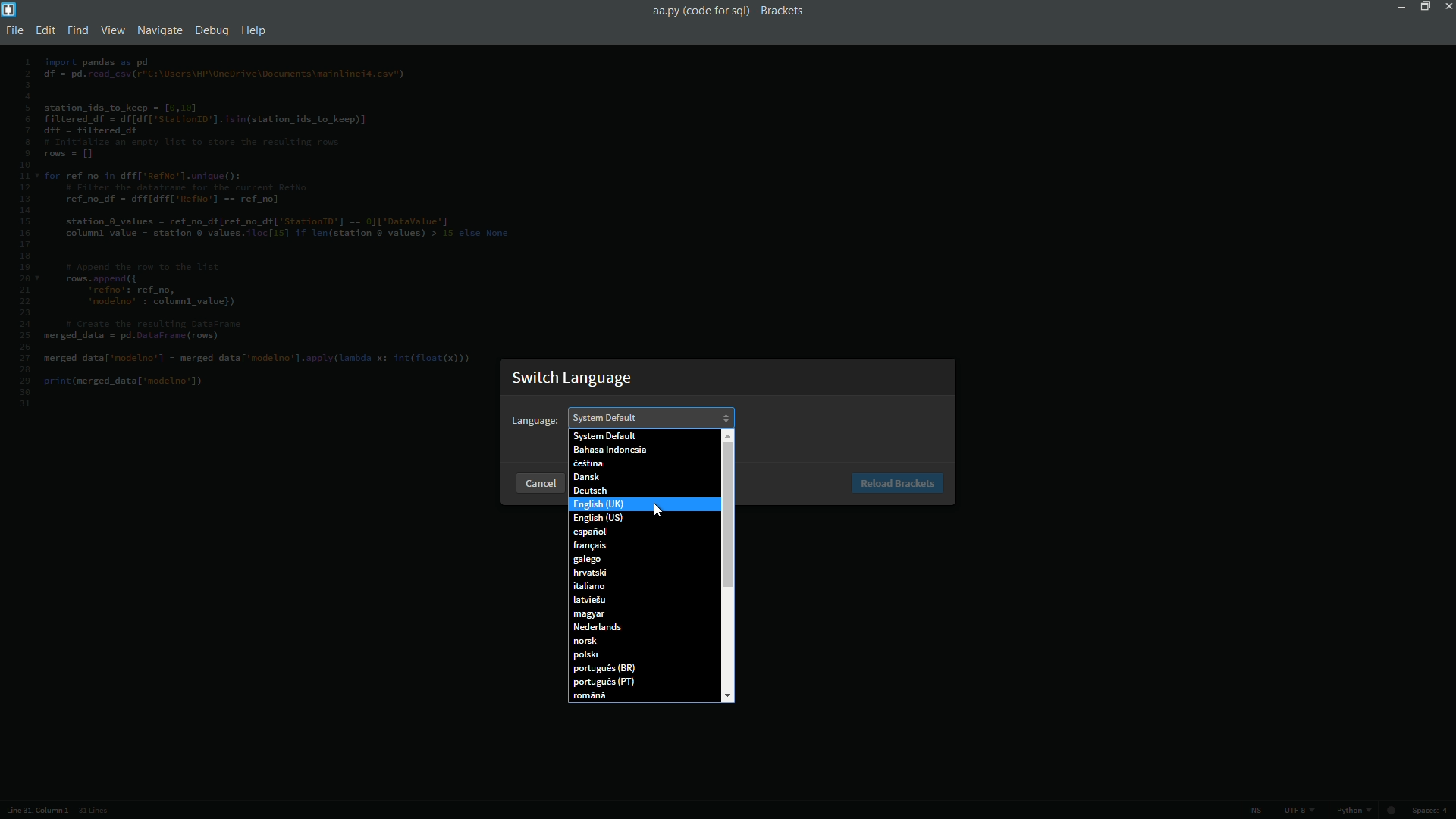  What do you see at coordinates (24, 233) in the screenshot?
I see `line numbers` at bounding box center [24, 233].